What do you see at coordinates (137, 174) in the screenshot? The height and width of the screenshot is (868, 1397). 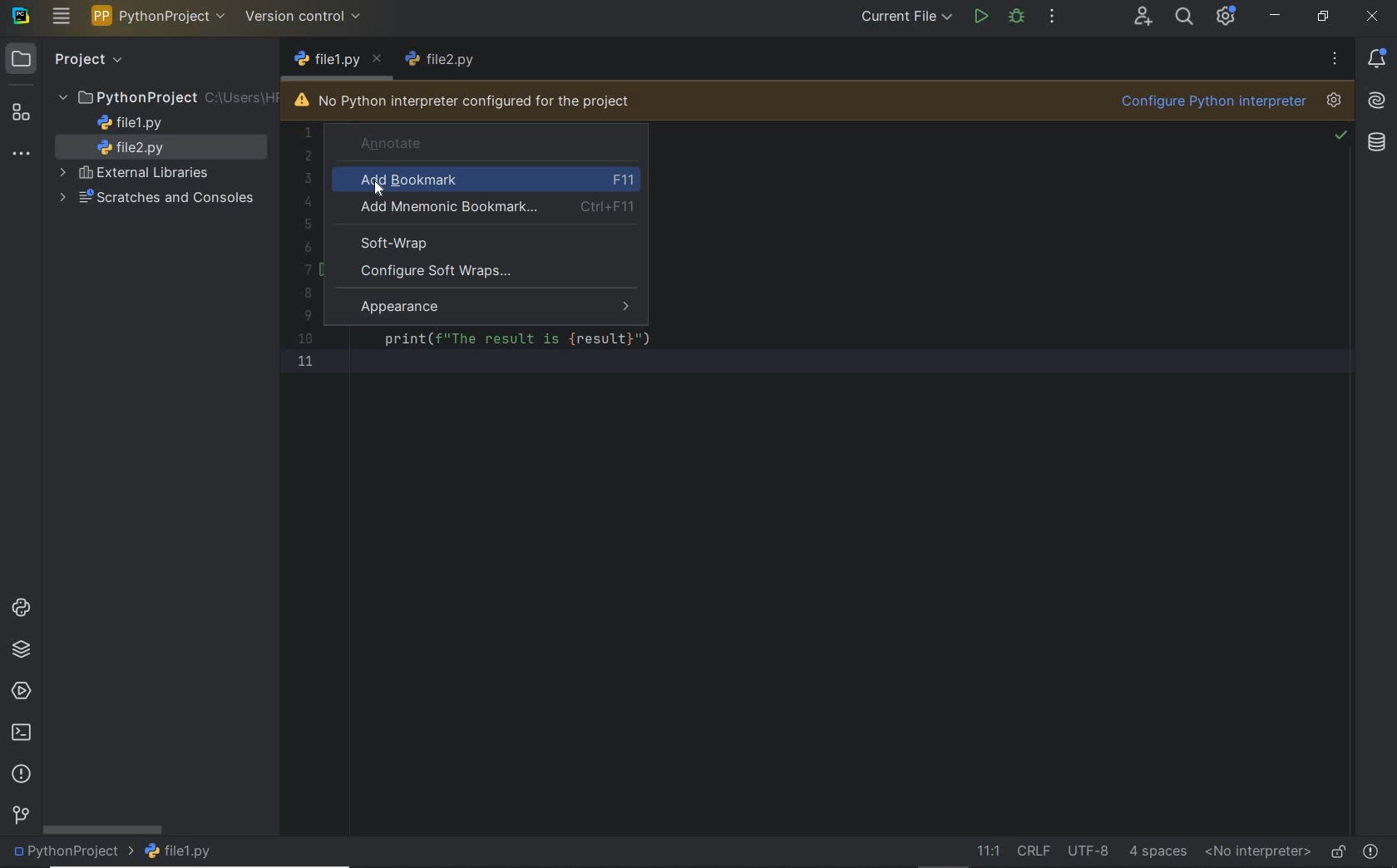 I see `external libraries` at bounding box center [137, 174].